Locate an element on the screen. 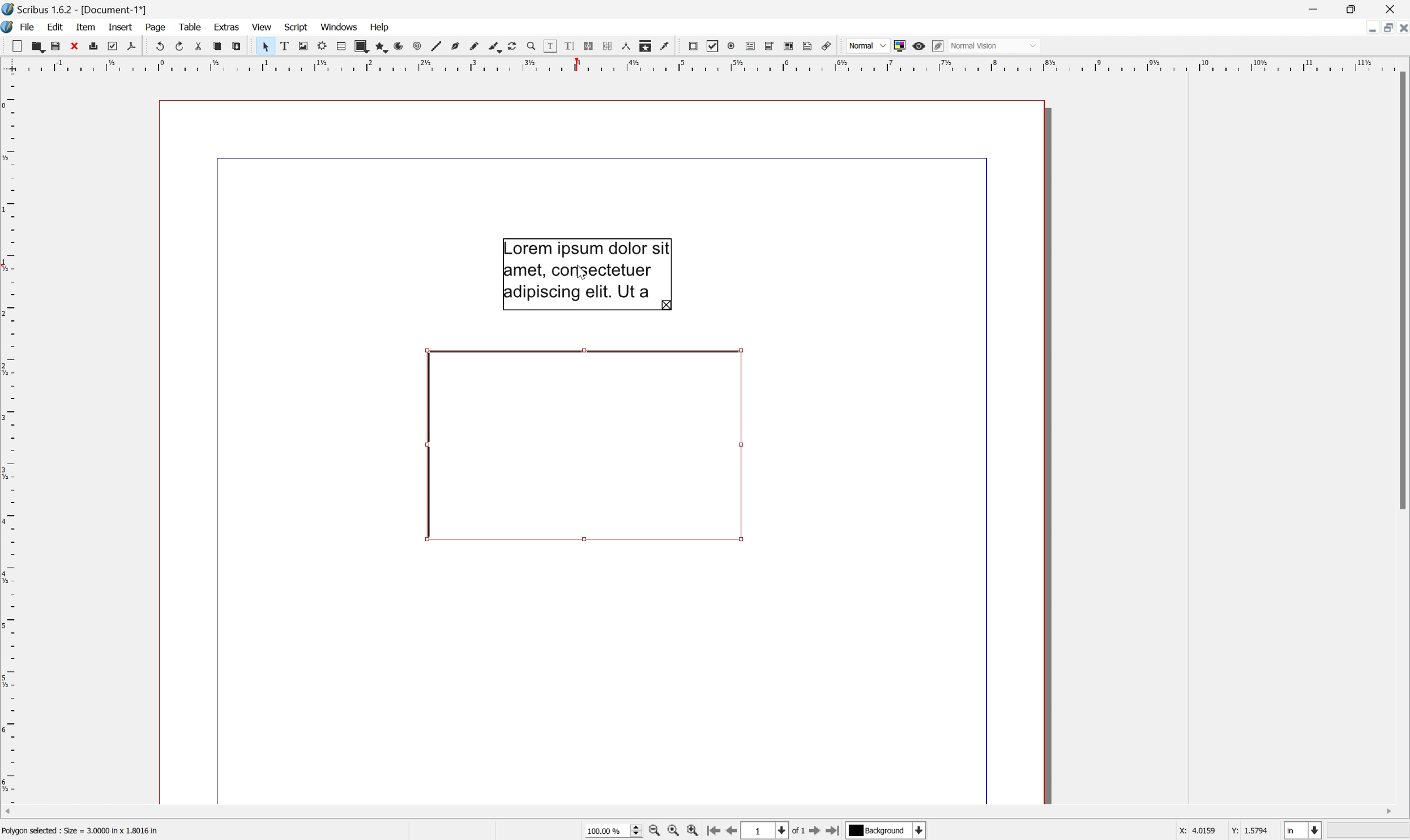  Line is located at coordinates (434, 46).